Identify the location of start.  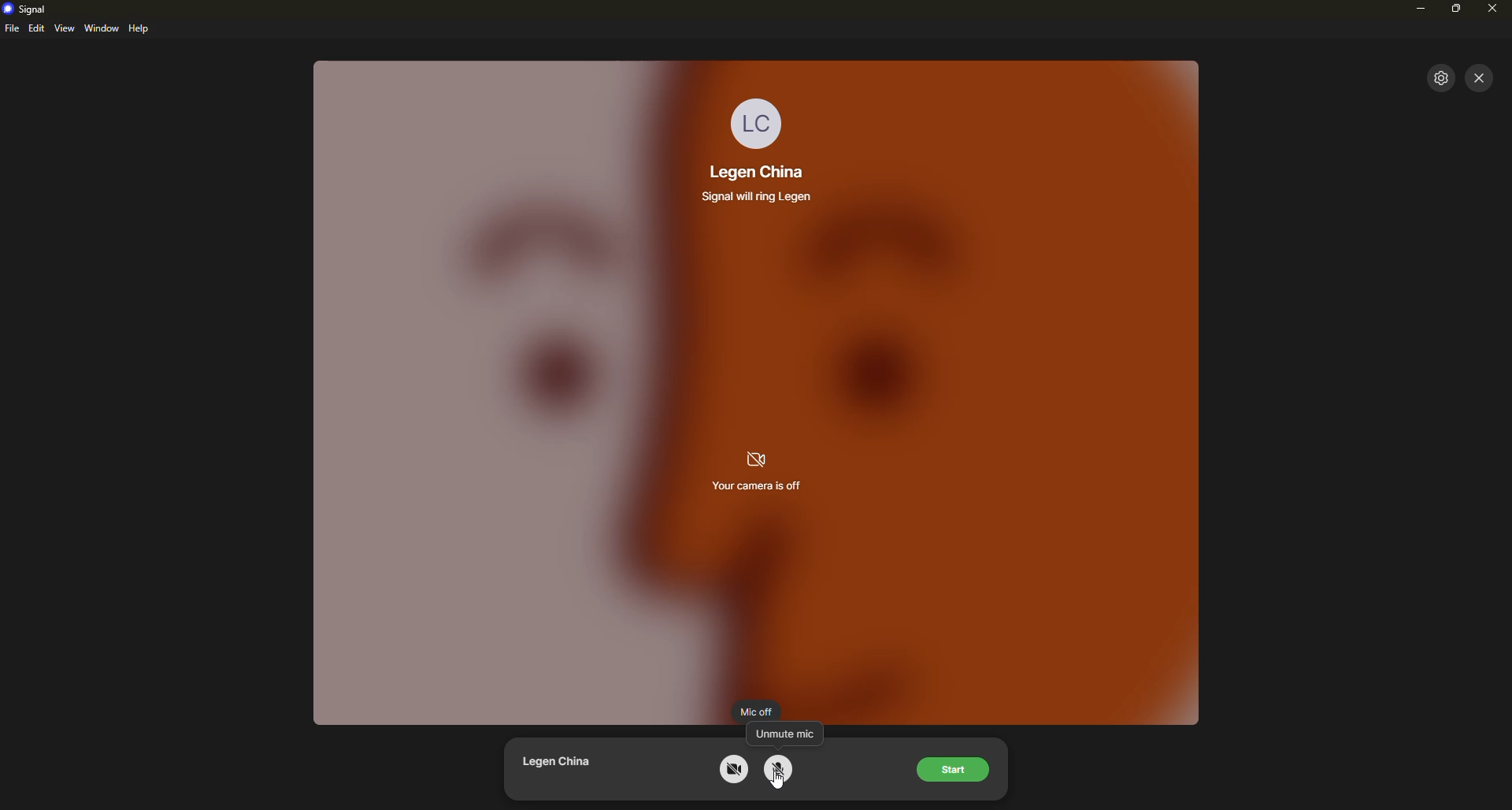
(955, 771).